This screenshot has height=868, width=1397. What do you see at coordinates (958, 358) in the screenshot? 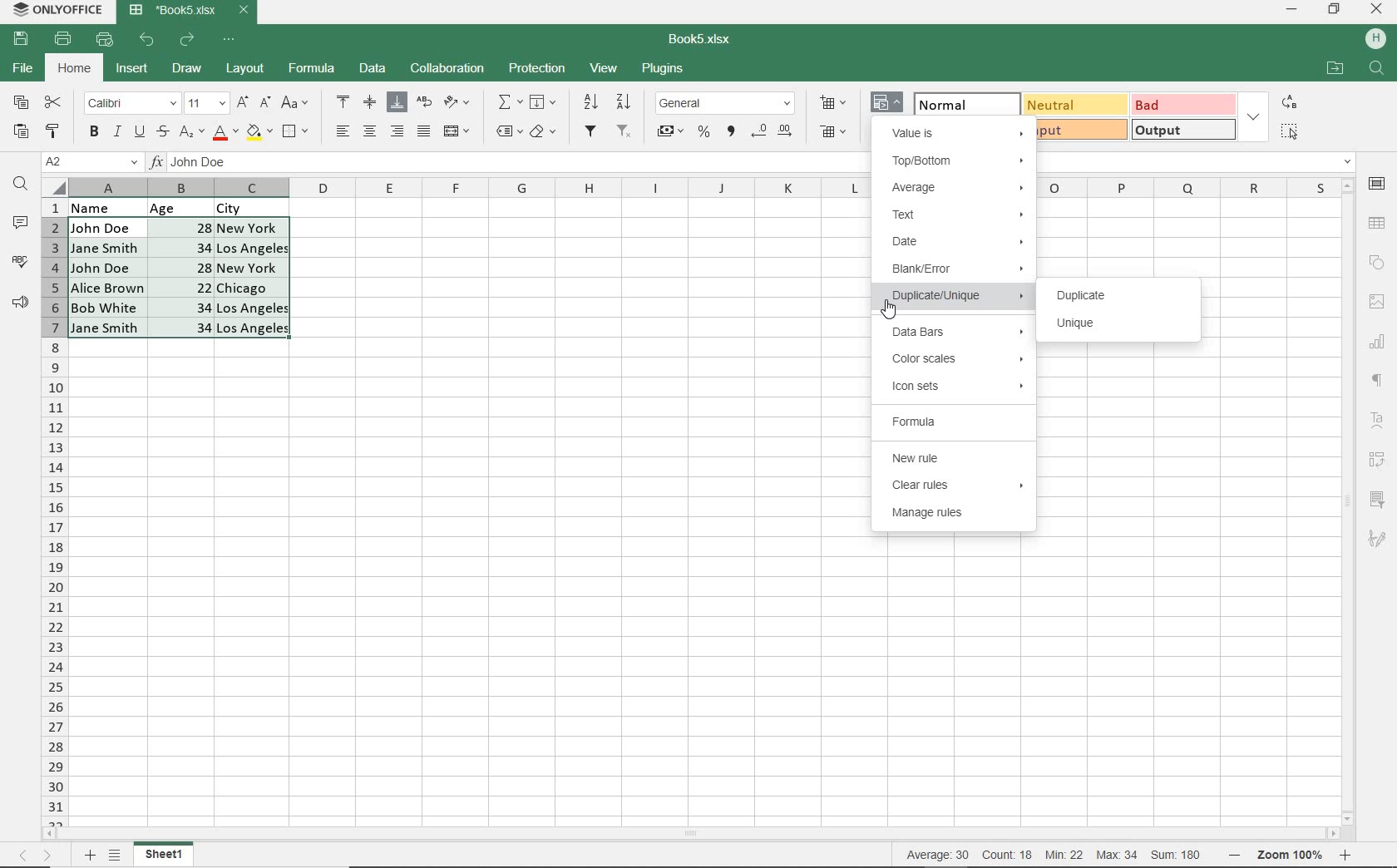
I see `COLOR SCALES` at bounding box center [958, 358].